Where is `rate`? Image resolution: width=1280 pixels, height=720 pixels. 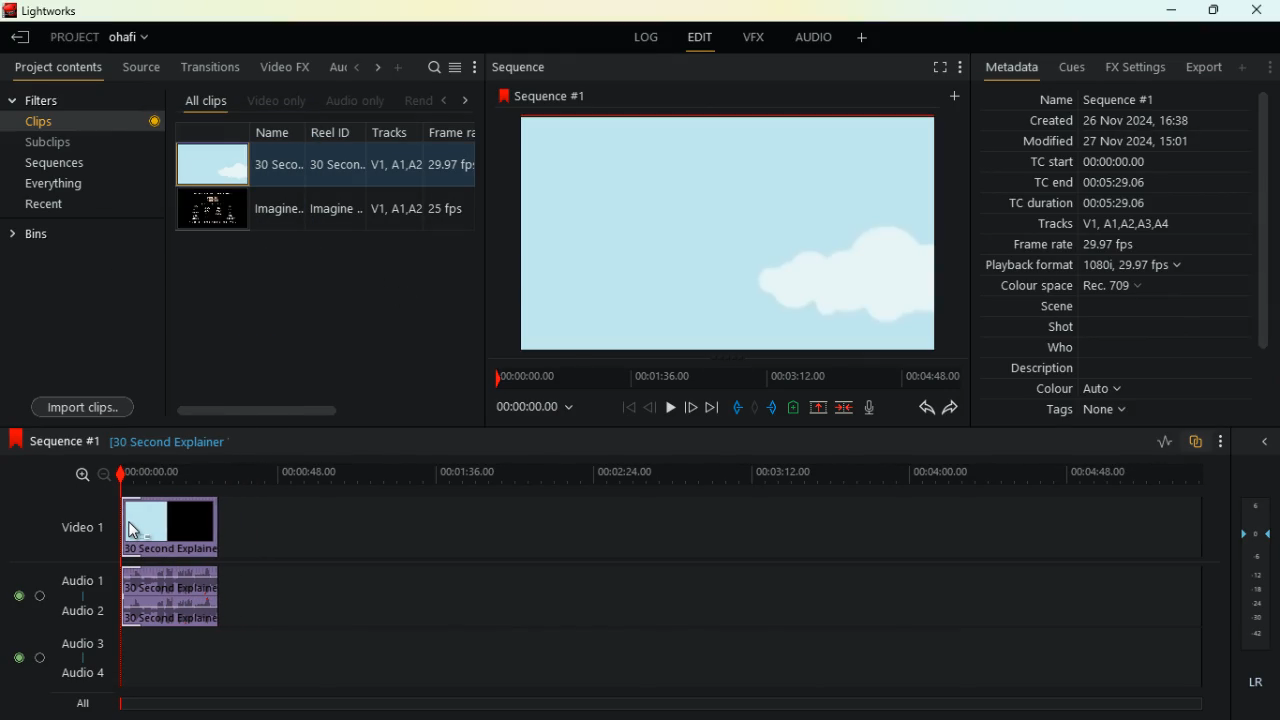 rate is located at coordinates (1162, 440).